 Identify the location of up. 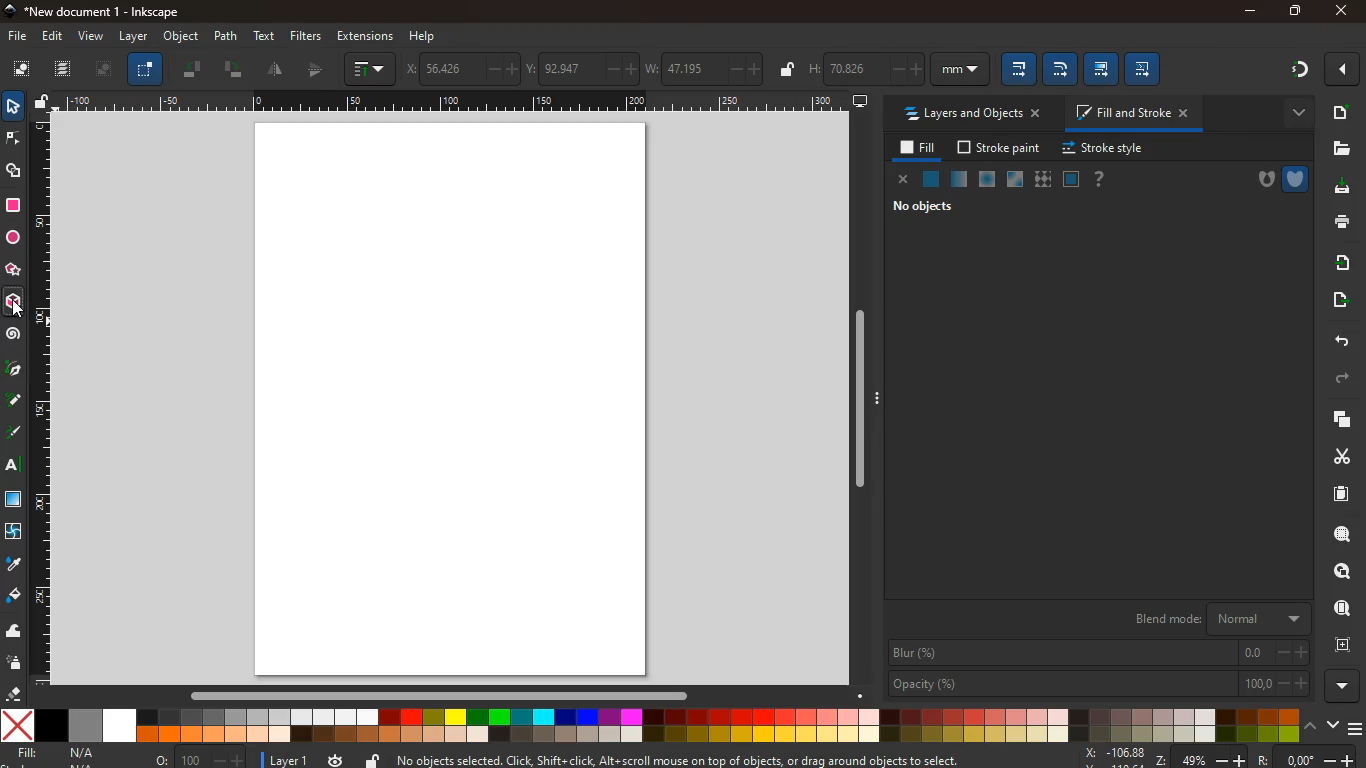
(1311, 727).